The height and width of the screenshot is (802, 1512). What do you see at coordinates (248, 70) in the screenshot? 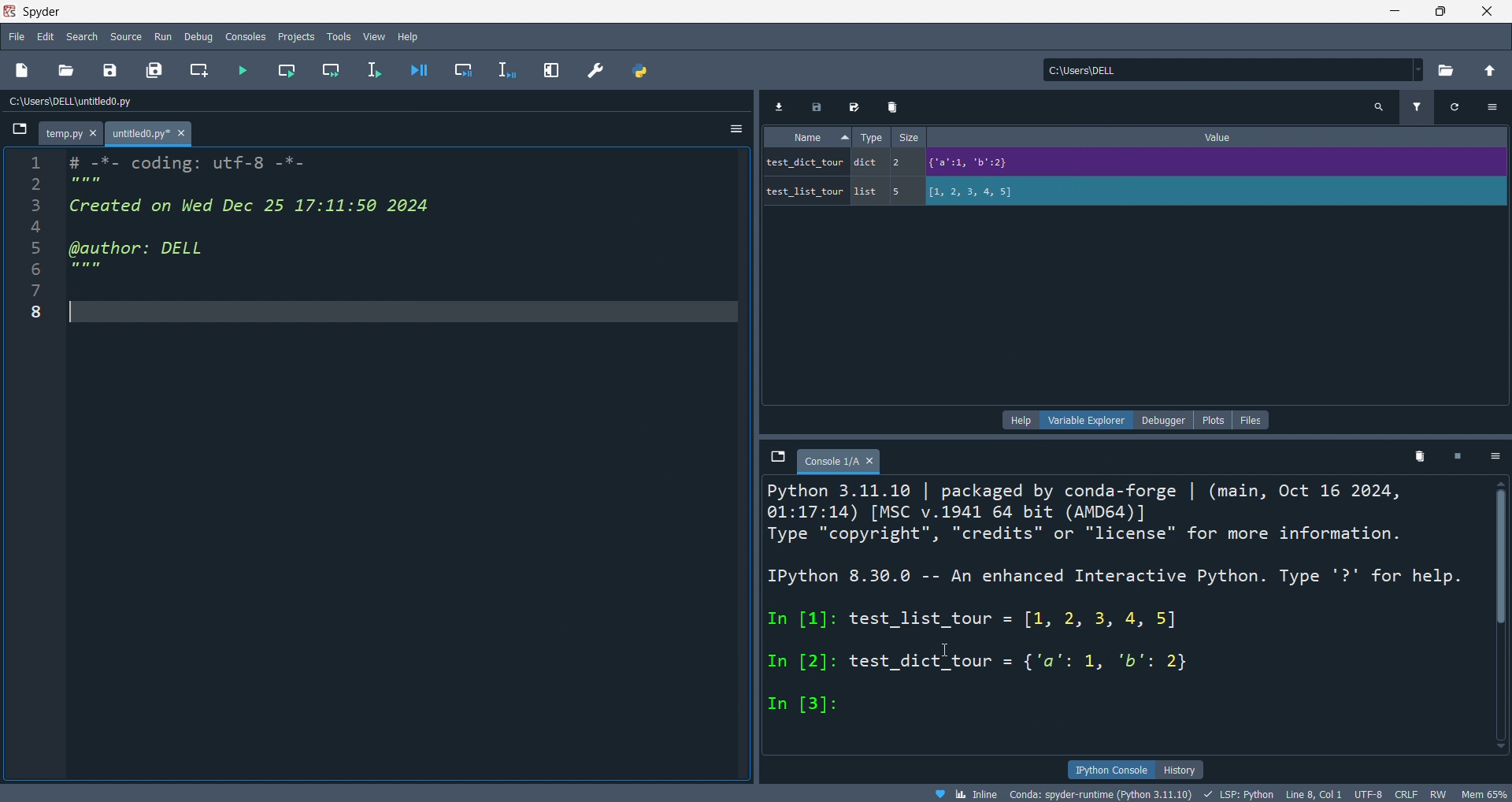
I see `run file` at bounding box center [248, 70].